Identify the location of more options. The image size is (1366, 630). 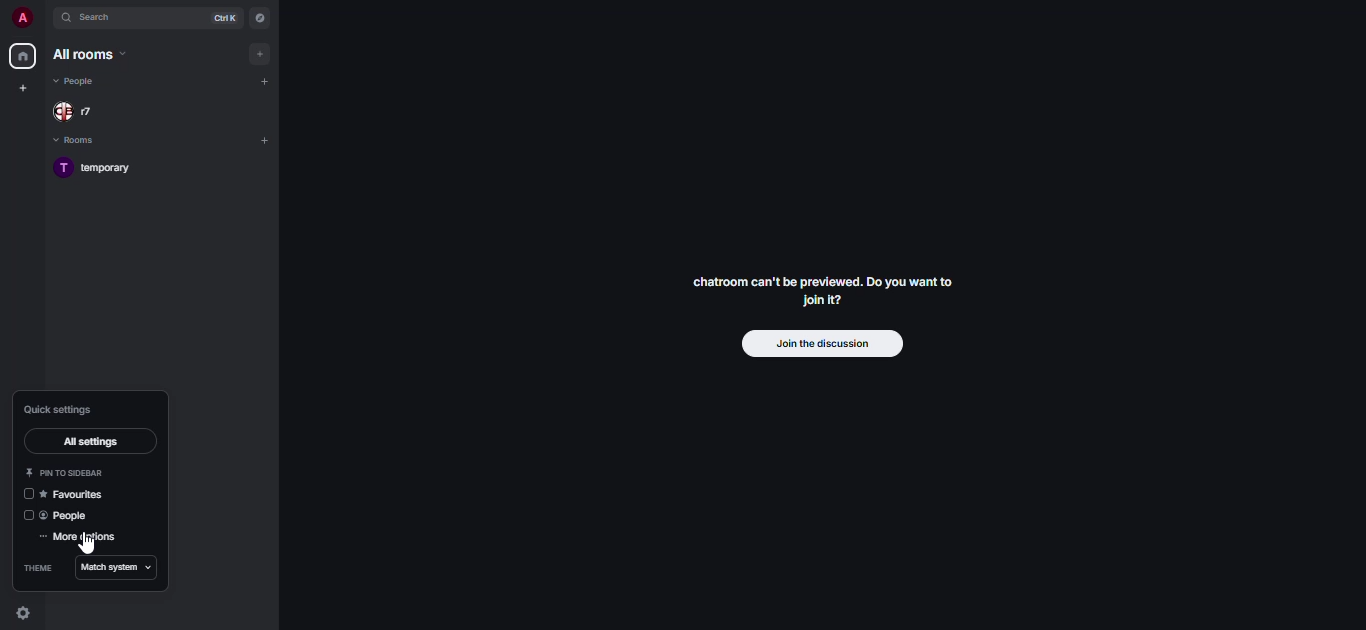
(86, 537).